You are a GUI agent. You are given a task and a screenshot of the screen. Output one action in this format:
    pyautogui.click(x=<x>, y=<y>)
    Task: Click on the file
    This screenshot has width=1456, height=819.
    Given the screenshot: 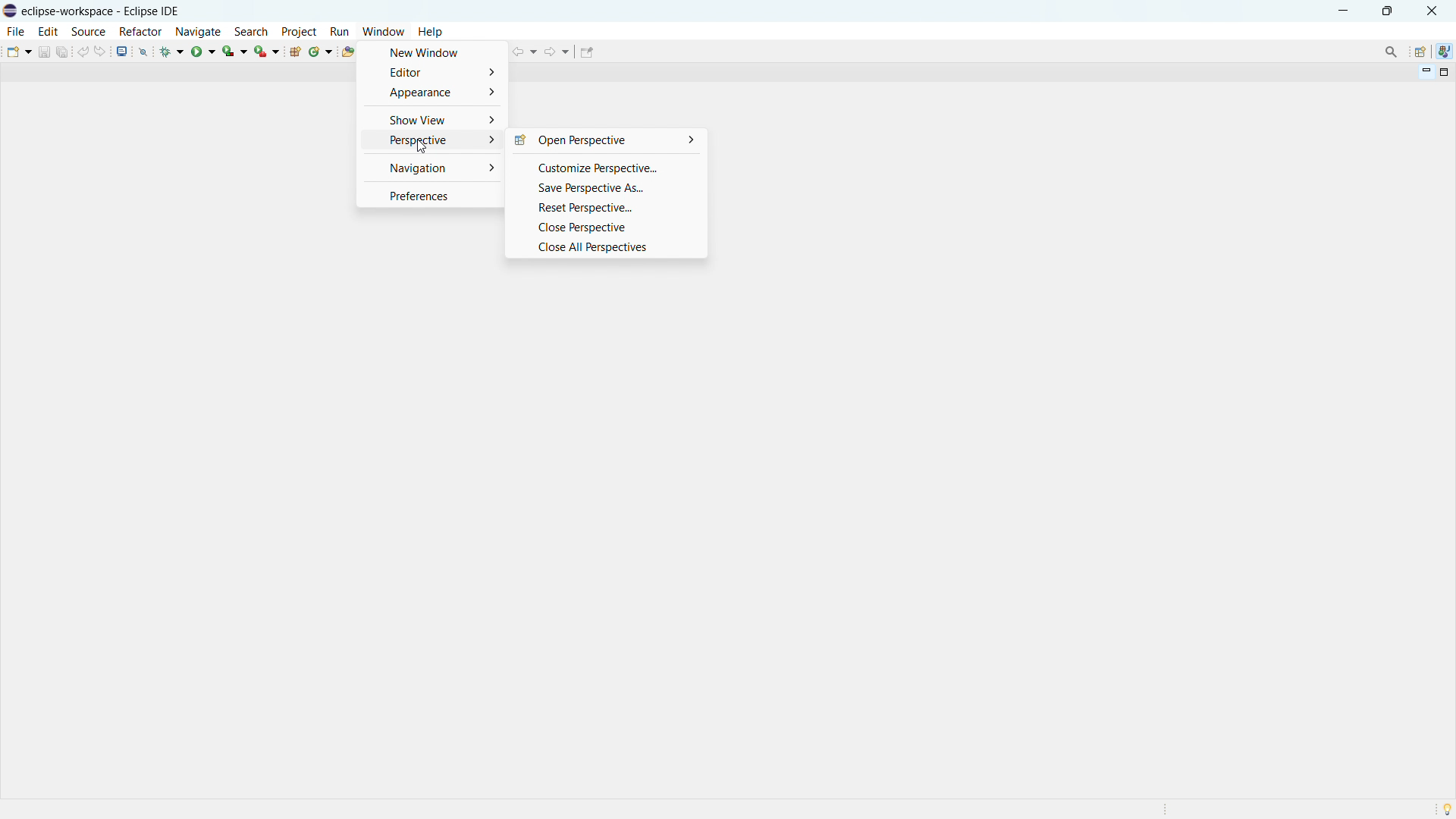 What is the action you would take?
    pyautogui.click(x=17, y=32)
    